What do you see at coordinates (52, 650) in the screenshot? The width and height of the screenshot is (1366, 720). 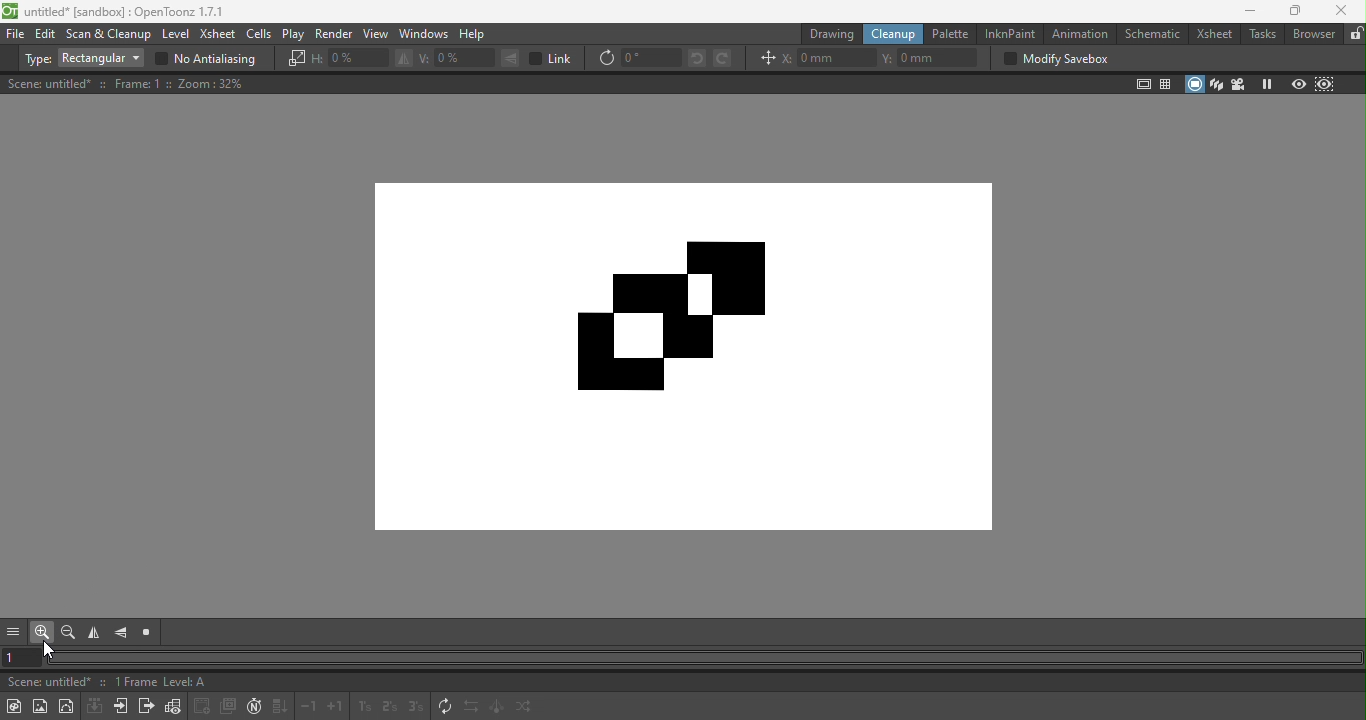 I see `Cursor` at bounding box center [52, 650].